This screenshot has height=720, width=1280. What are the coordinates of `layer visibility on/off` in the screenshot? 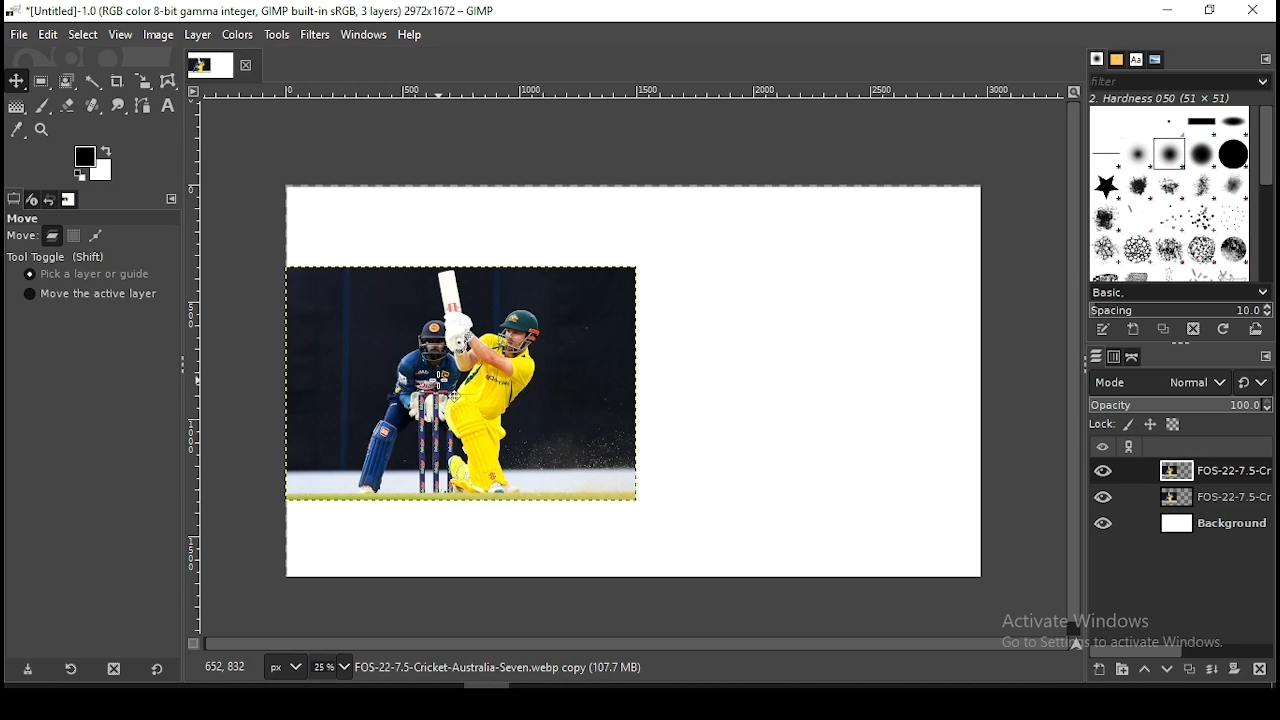 It's located at (1101, 445).